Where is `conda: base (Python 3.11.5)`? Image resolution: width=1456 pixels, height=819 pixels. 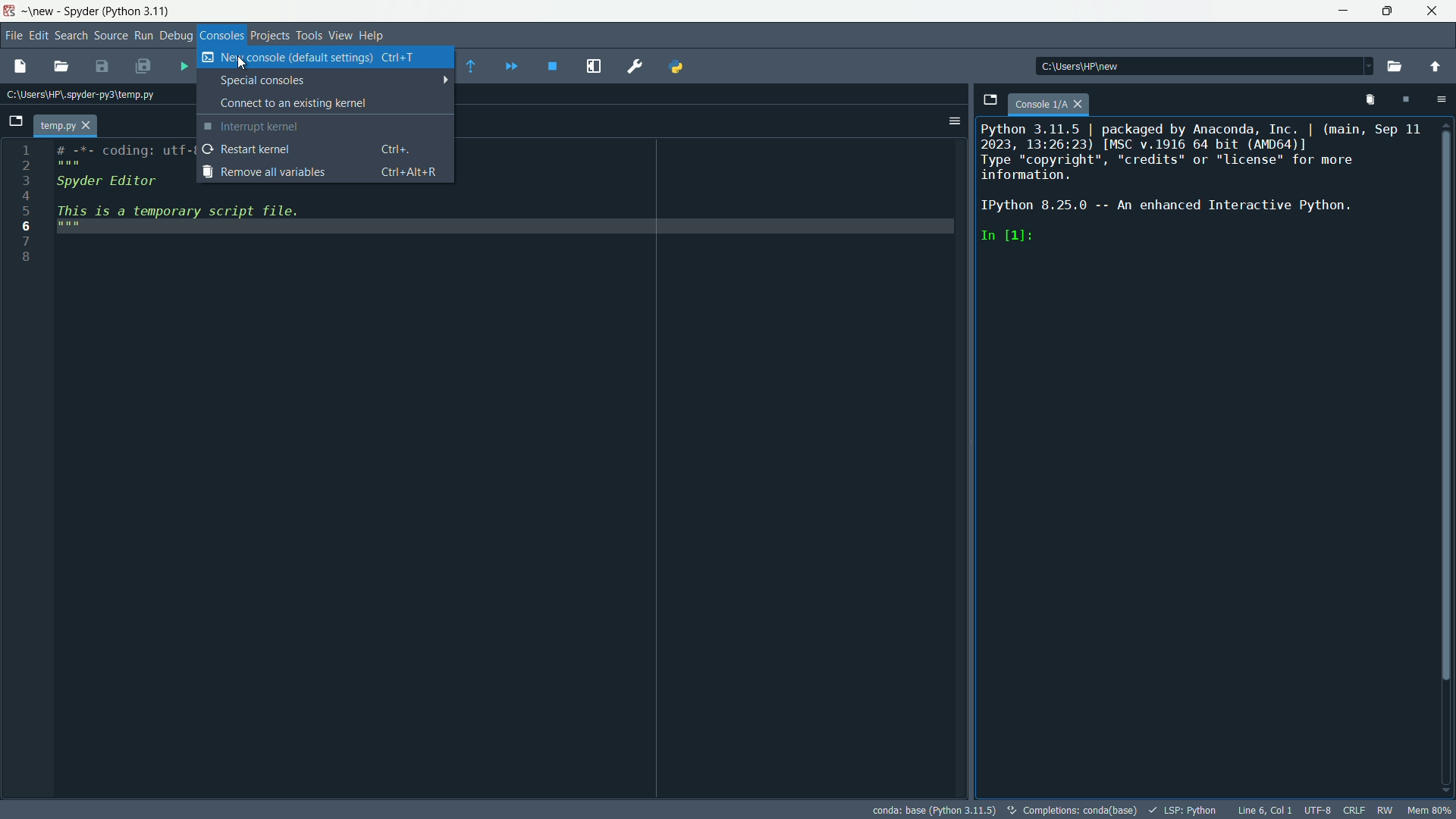 conda: base (Python 3.11.5) is located at coordinates (934, 811).